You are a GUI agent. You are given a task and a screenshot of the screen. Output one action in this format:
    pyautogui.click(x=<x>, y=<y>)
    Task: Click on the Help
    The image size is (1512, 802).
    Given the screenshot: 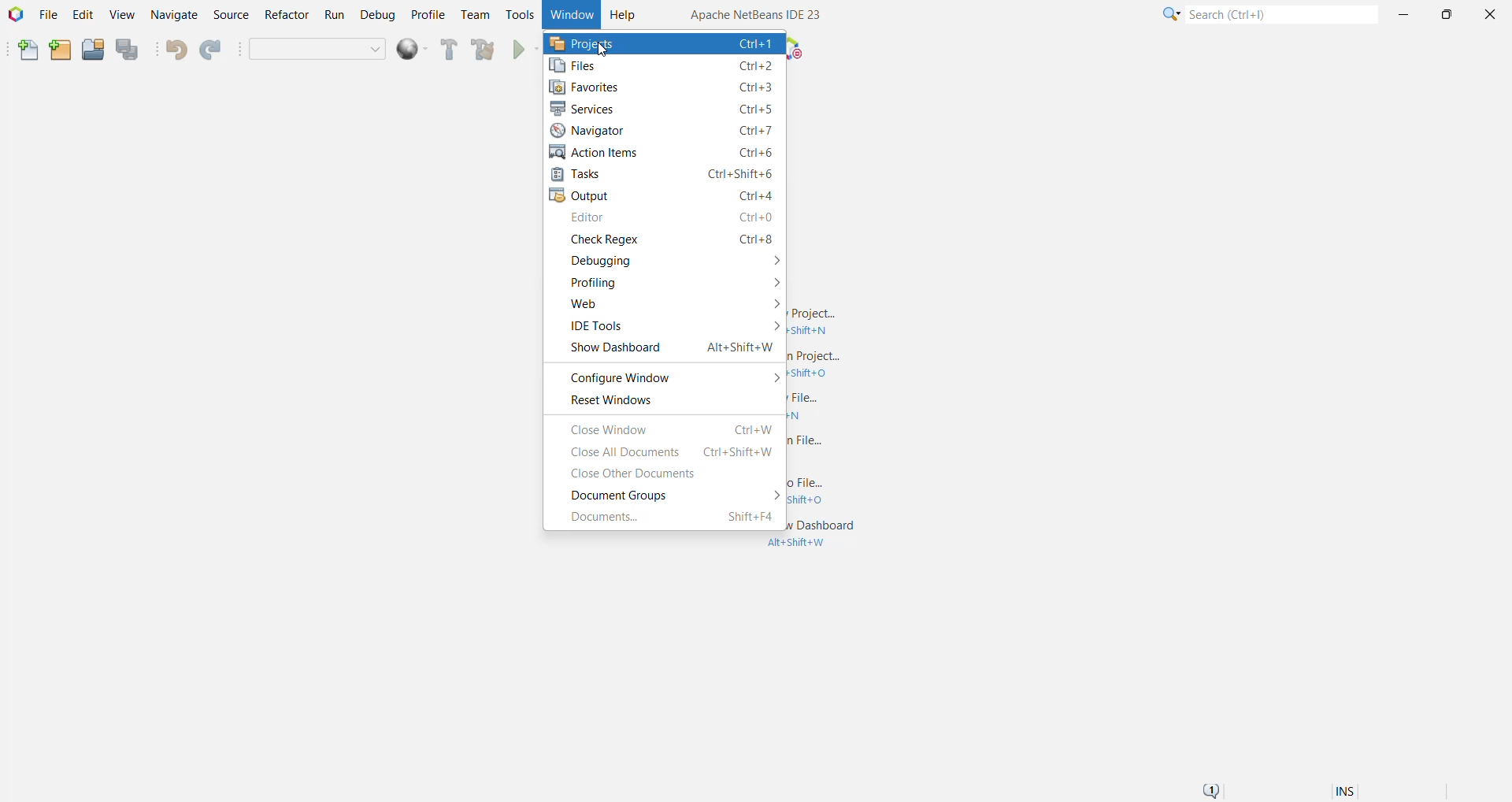 What is the action you would take?
    pyautogui.click(x=624, y=16)
    